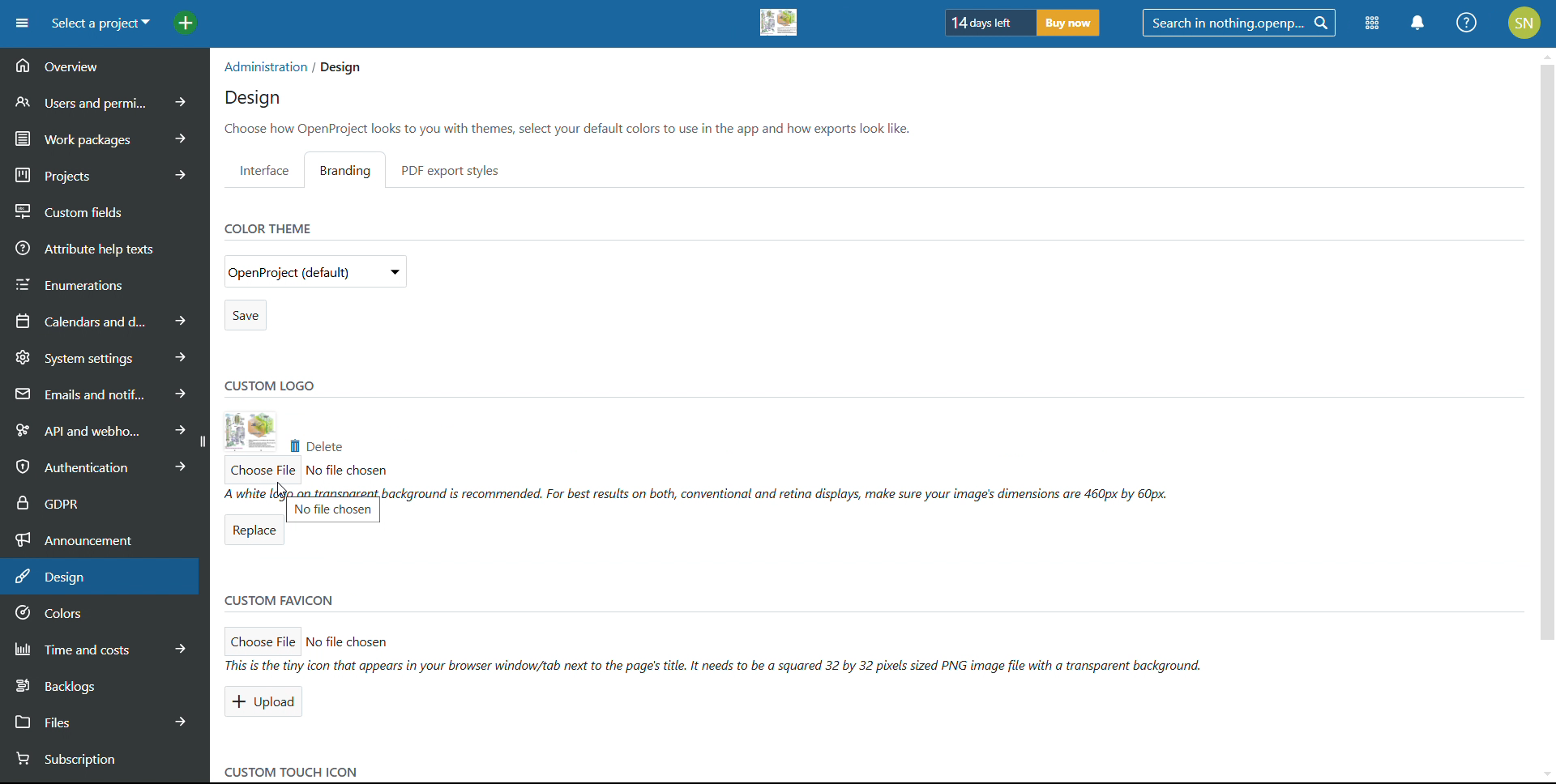 This screenshot has width=1556, height=784. I want to click on A white logo on transparent background (s recommended. For best results on both, conventional and retina displays, make sure your images dimensions are 460px by 60px., so click(699, 492).